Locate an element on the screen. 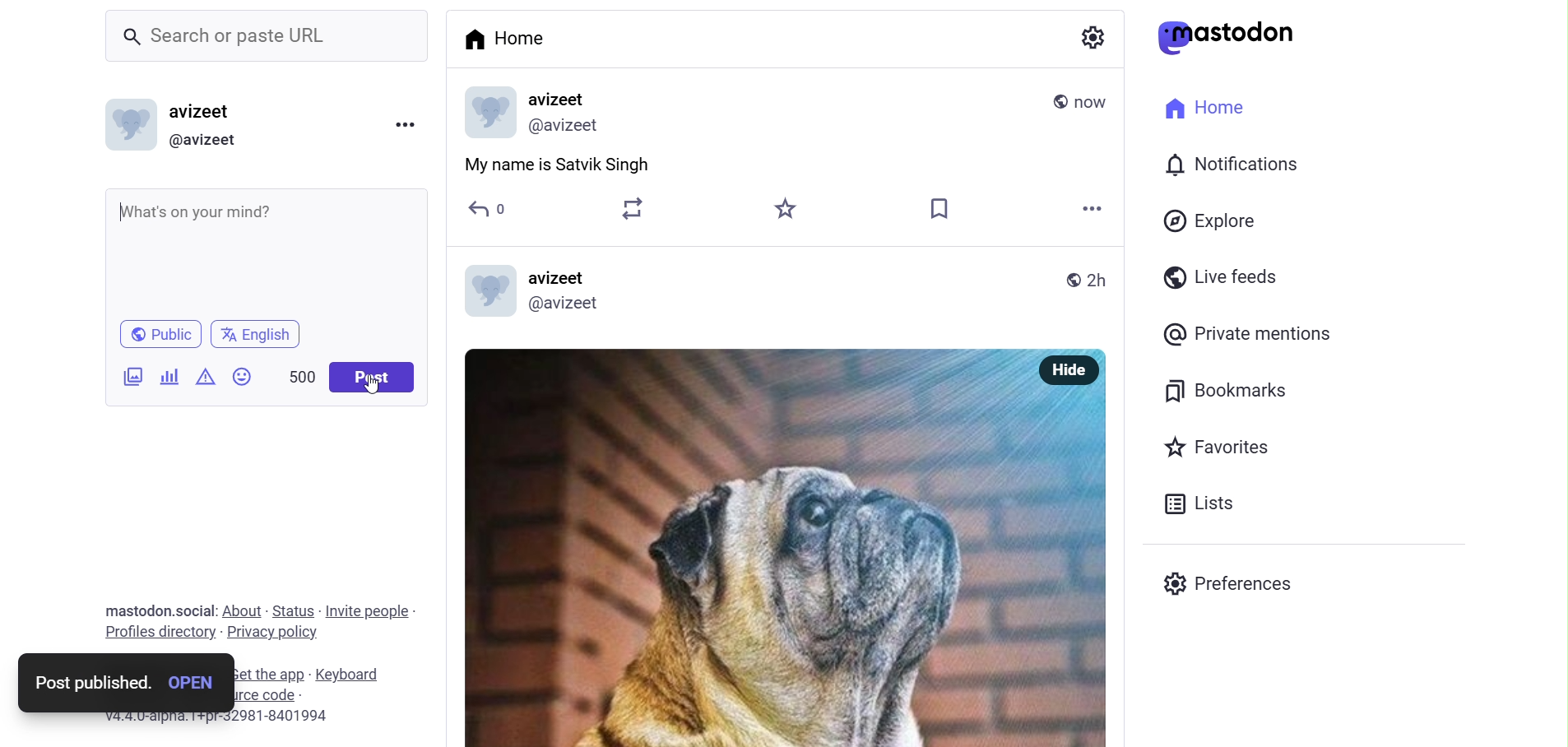 The height and width of the screenshot is (747, 1568). name is located at coordinates (564, 99).